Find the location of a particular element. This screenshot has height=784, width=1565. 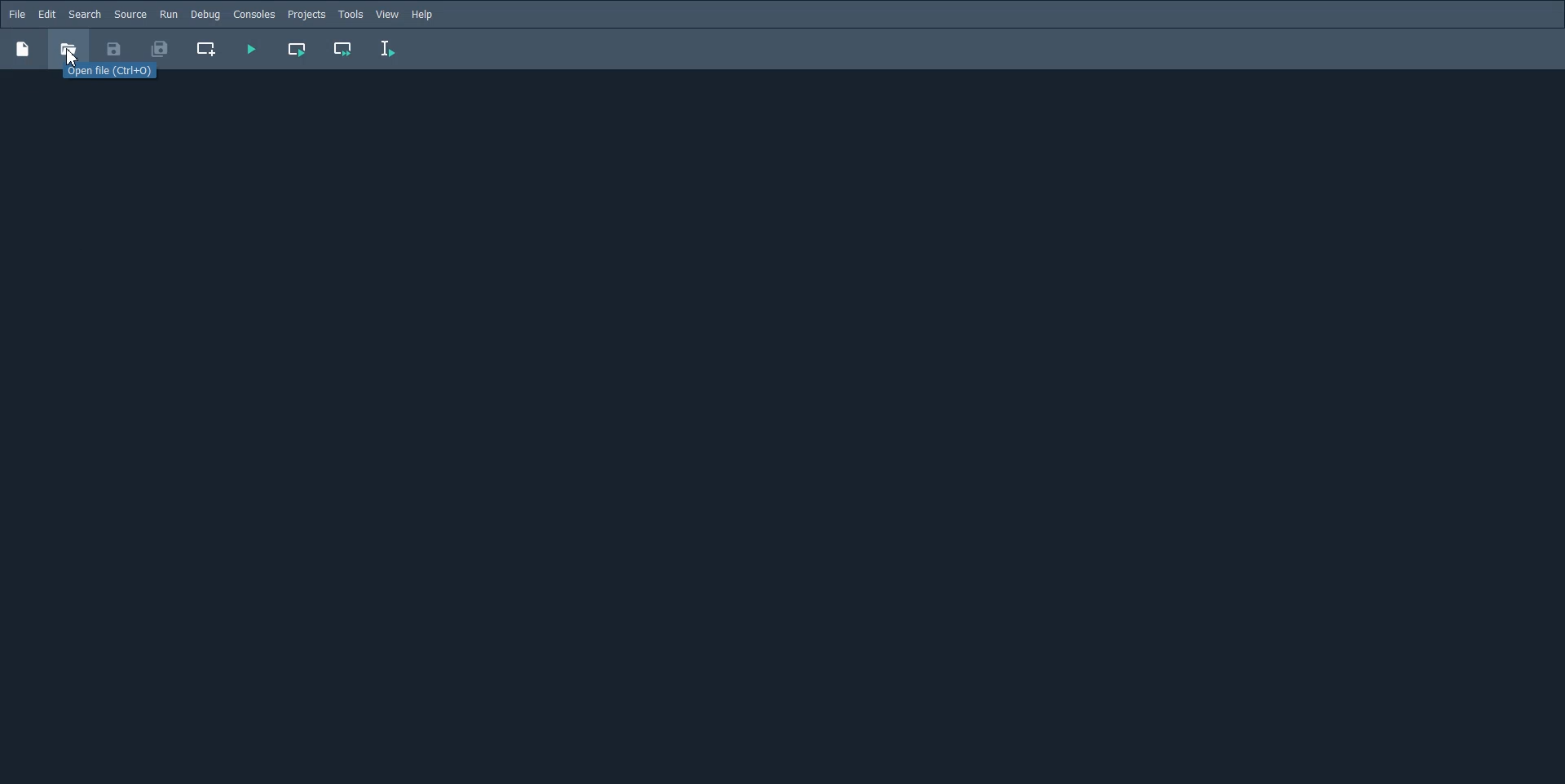

Tools is located at coordinates (350, 15).